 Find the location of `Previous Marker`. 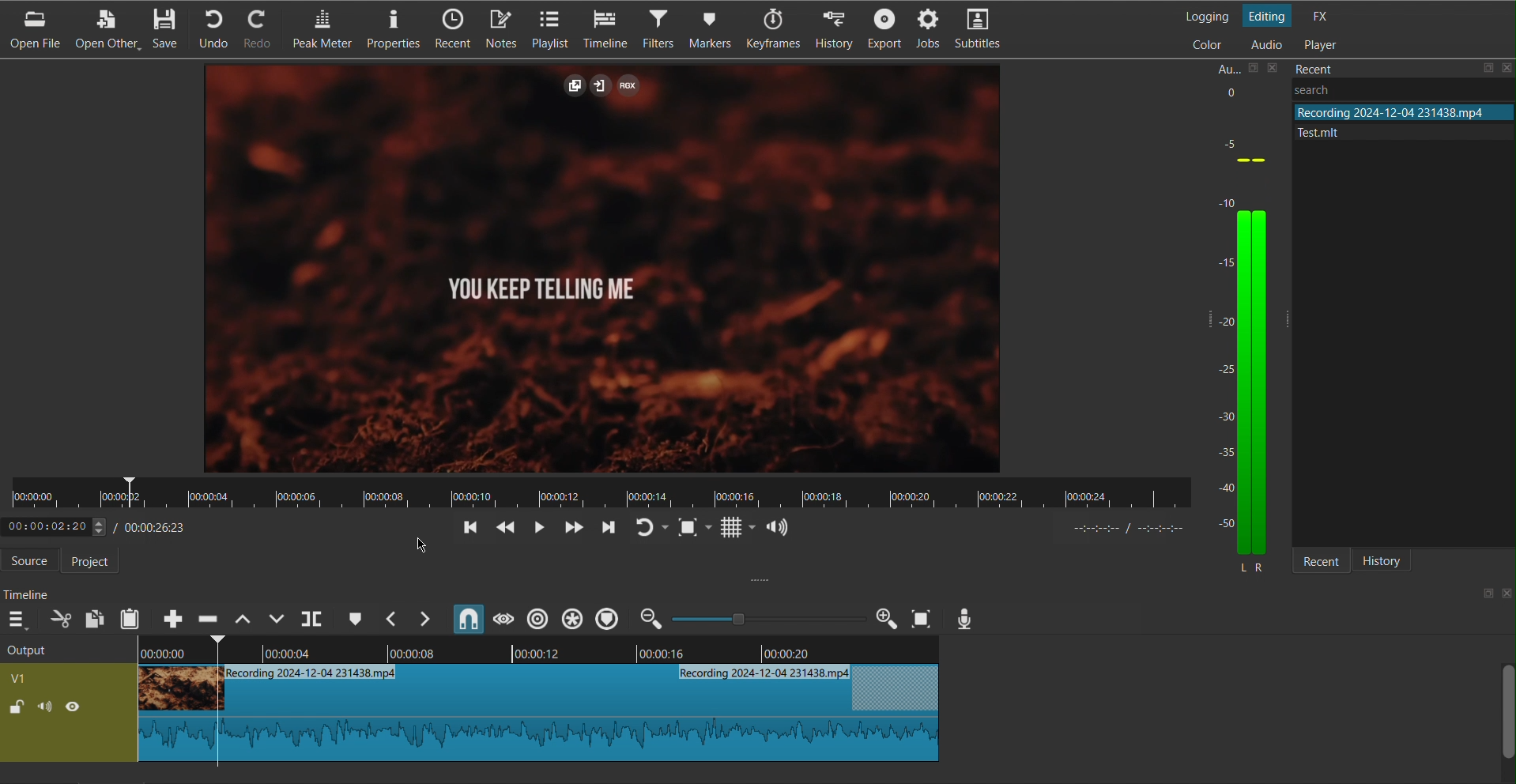

Previous Marker is located at coordinates (392, 618).